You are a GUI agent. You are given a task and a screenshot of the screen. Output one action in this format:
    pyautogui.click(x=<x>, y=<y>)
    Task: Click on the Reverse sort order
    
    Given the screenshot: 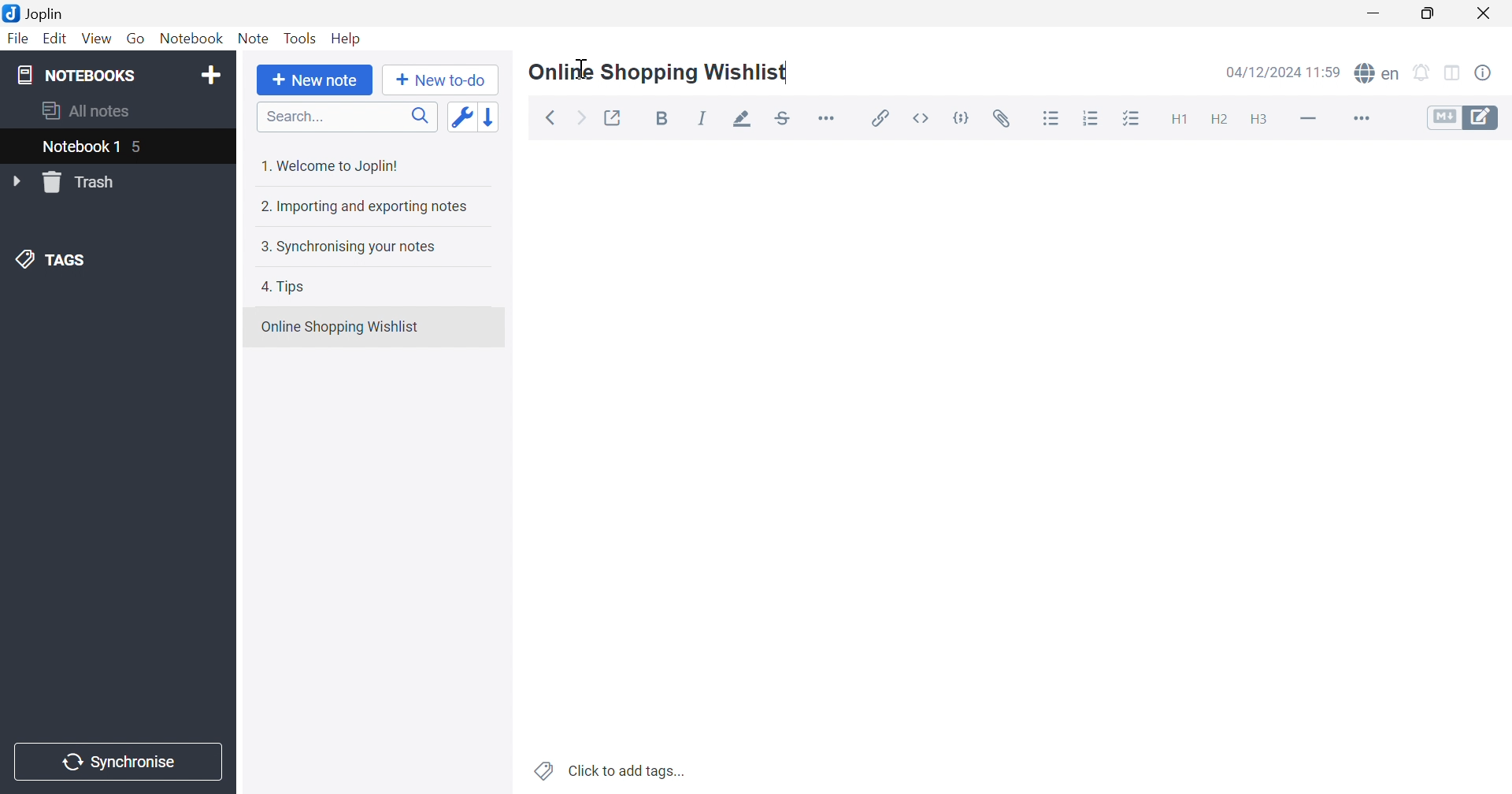 What is the action you would take?
    pyautogui.click(x=490, y=117)
    